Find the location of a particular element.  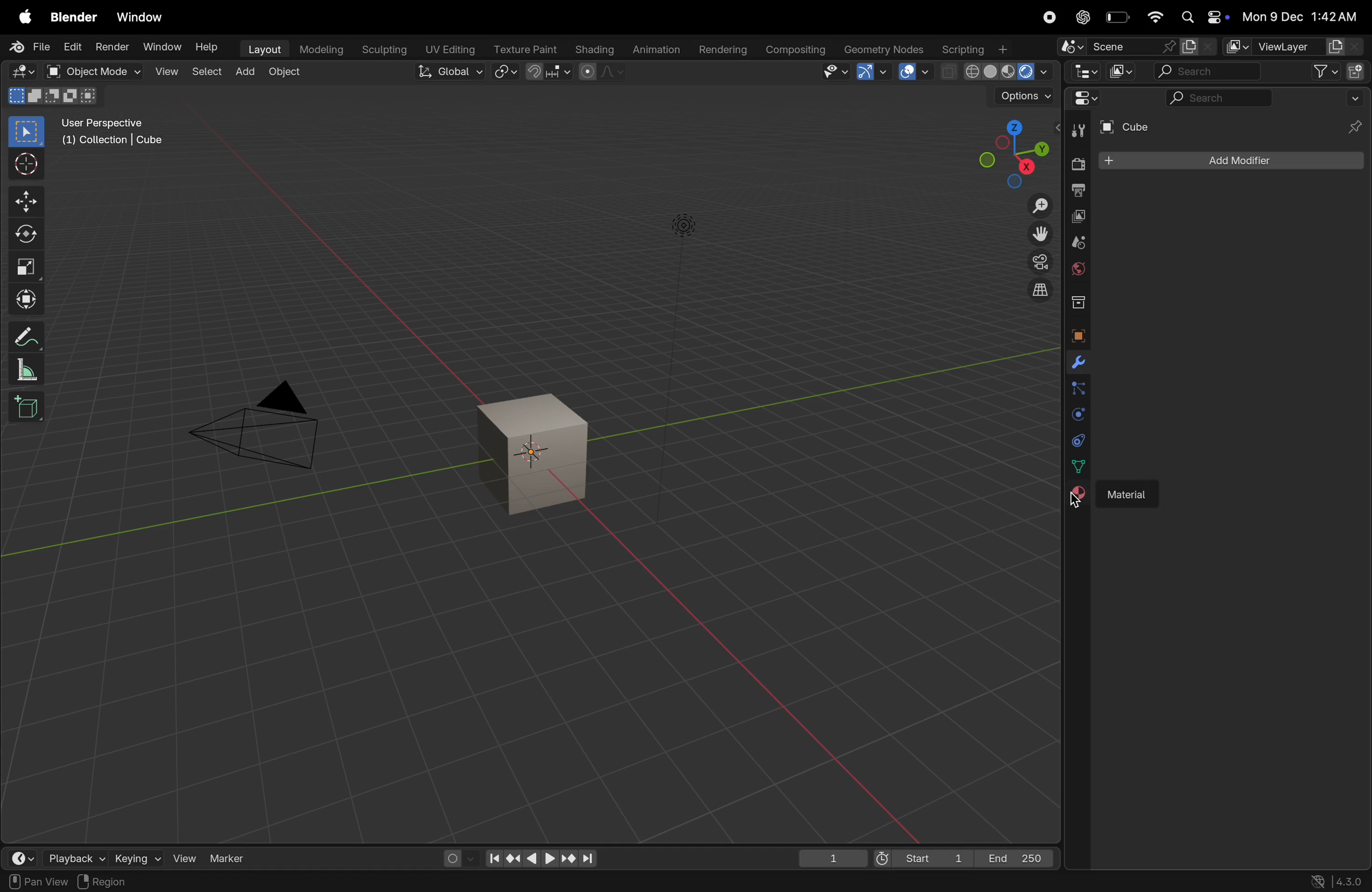

sculpting is located at coordinates (383, 50).